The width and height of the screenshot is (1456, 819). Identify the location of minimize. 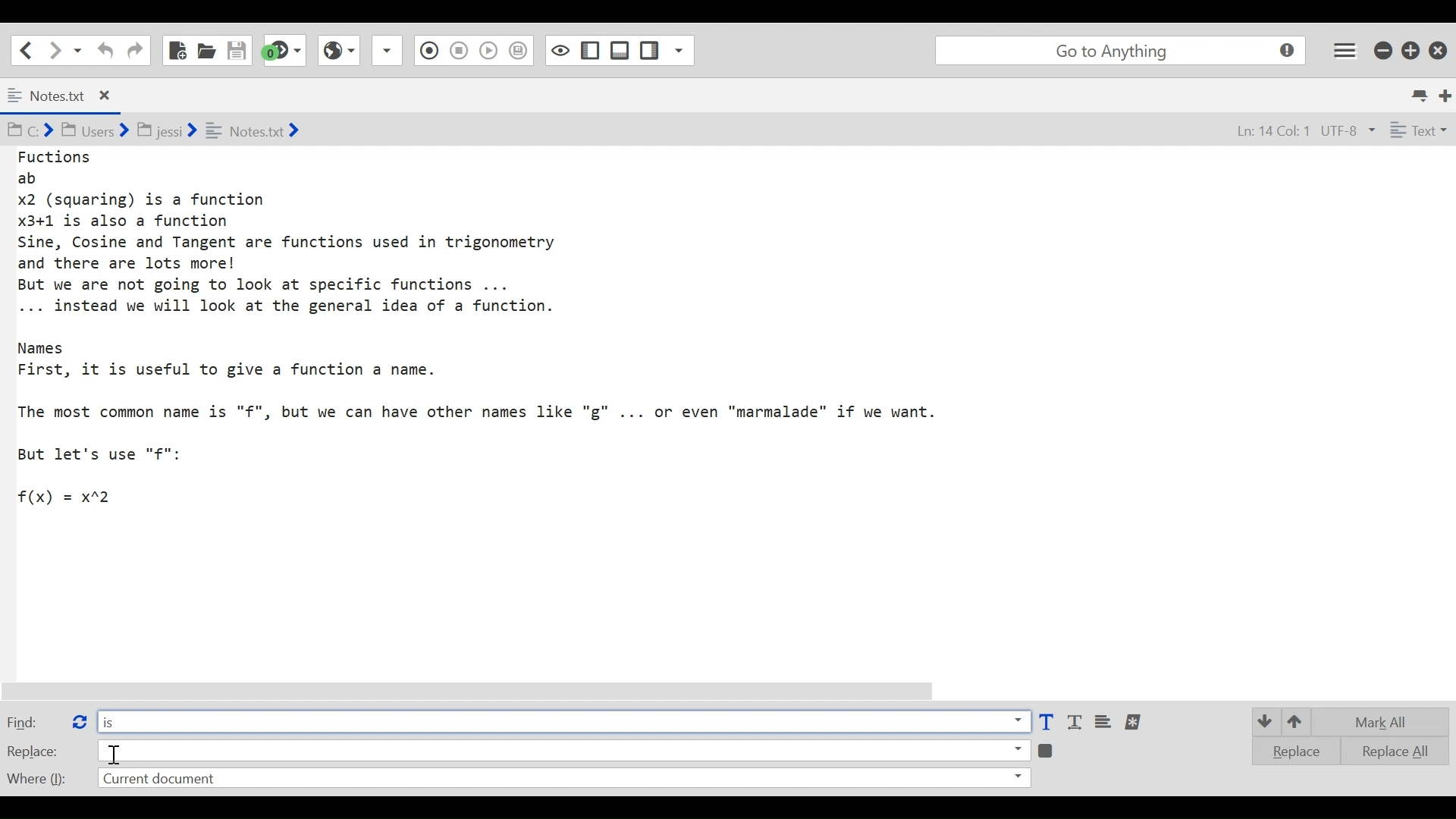
(1385, 49).